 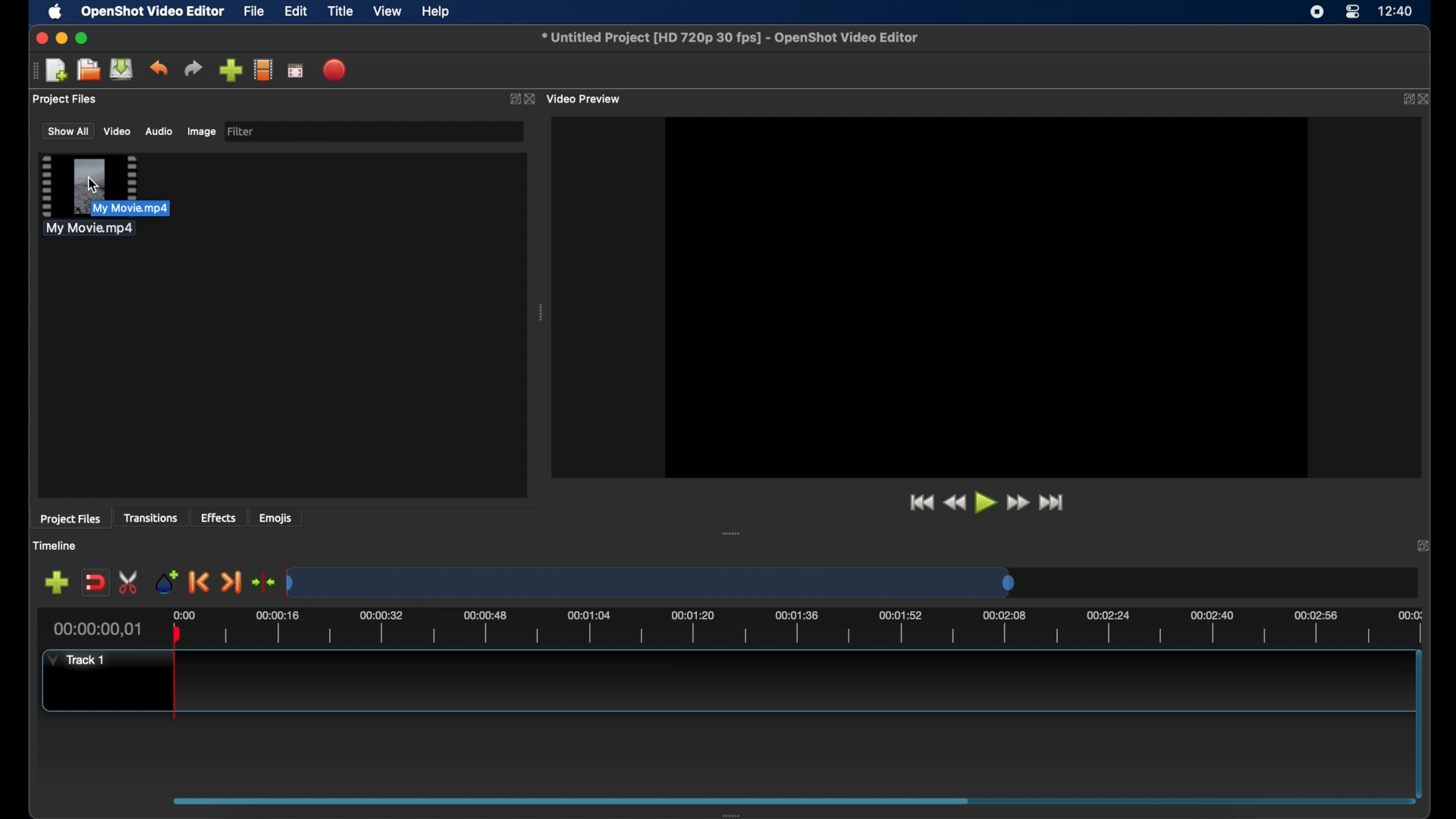 I want to click on scroll box, so click(x=571, y=800).